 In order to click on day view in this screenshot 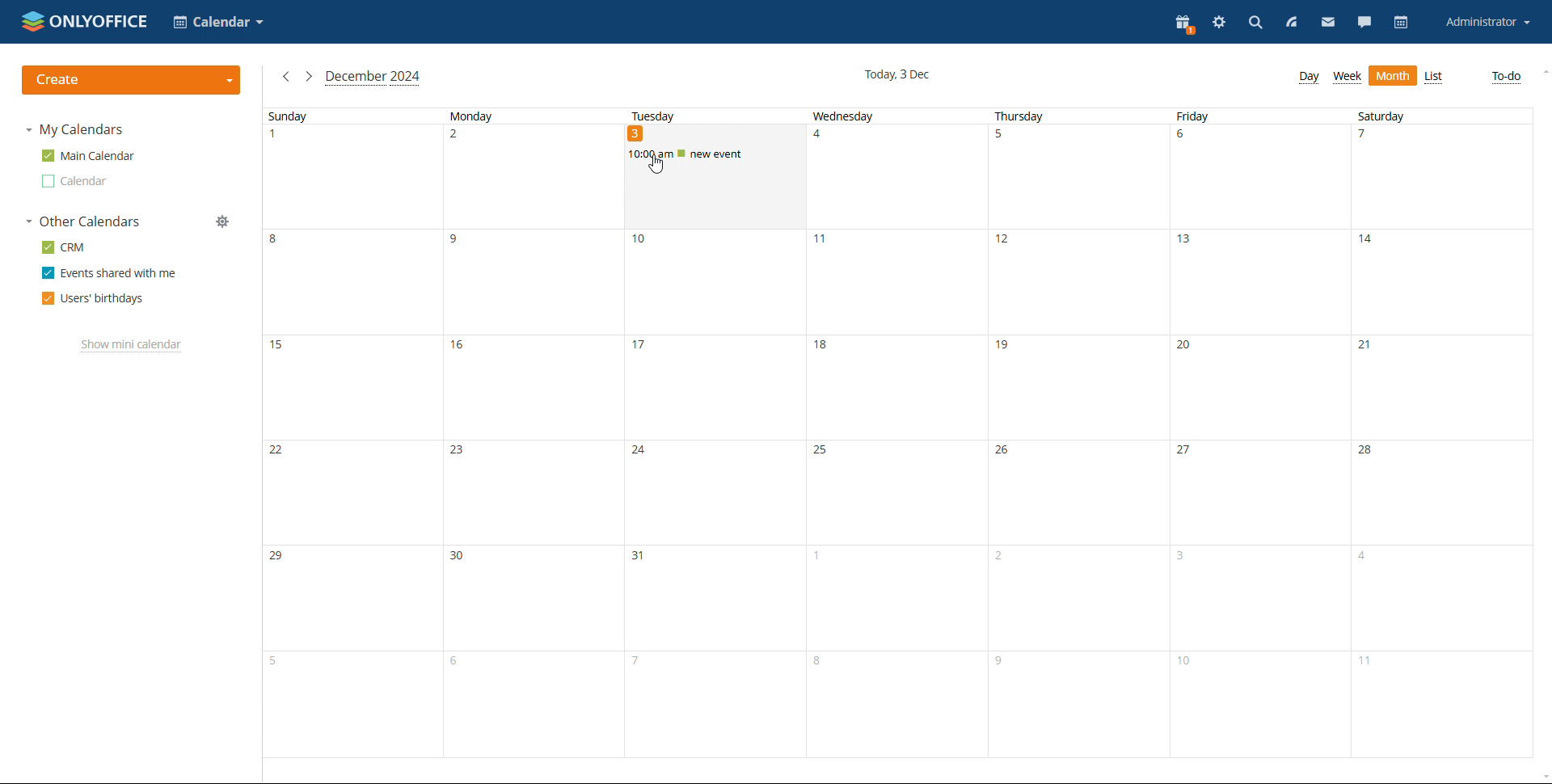, I will do `click(1308, 78)`.